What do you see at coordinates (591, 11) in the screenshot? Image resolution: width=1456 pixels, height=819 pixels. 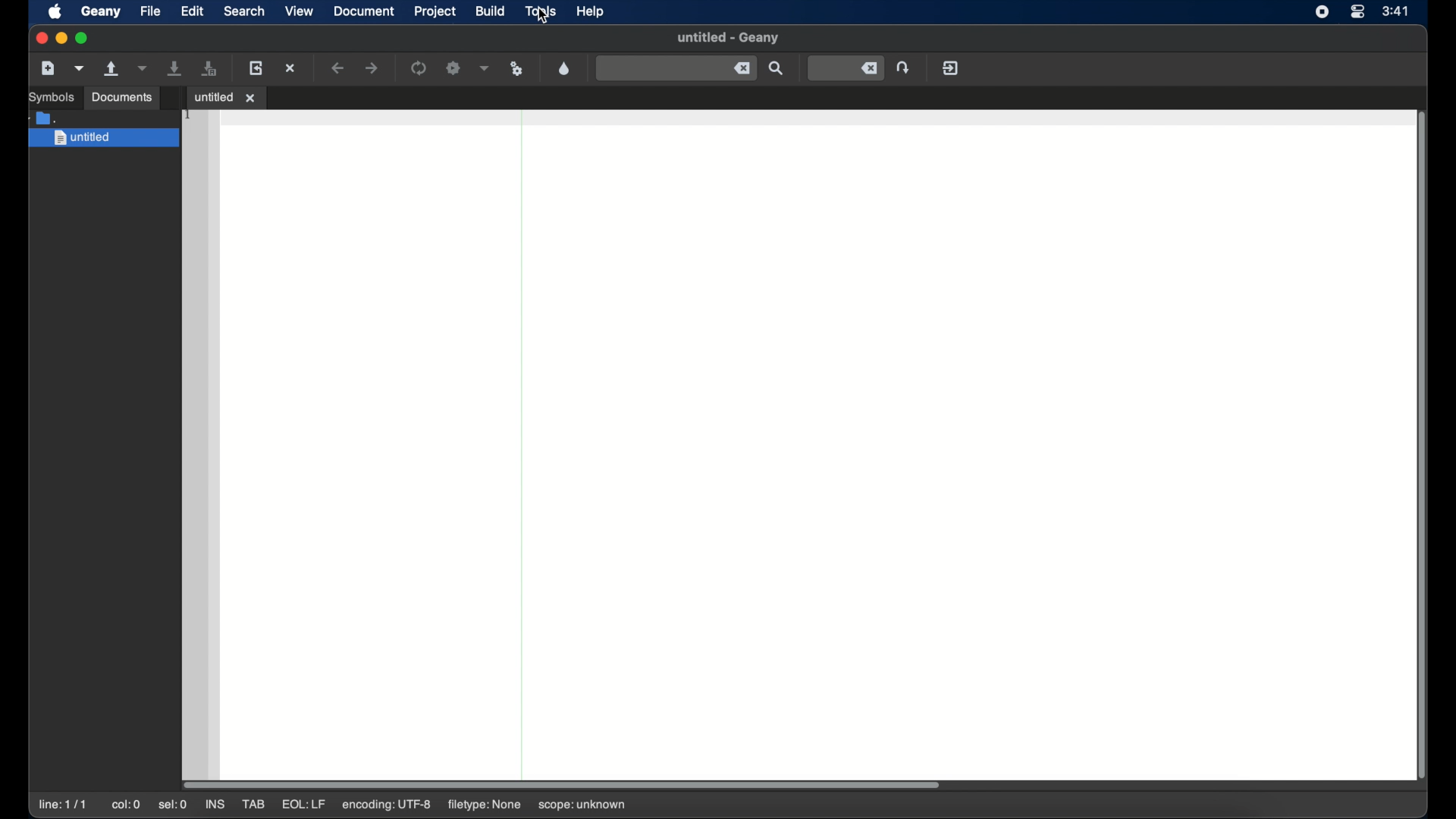 I see `help` at bounding box center [591, 11].